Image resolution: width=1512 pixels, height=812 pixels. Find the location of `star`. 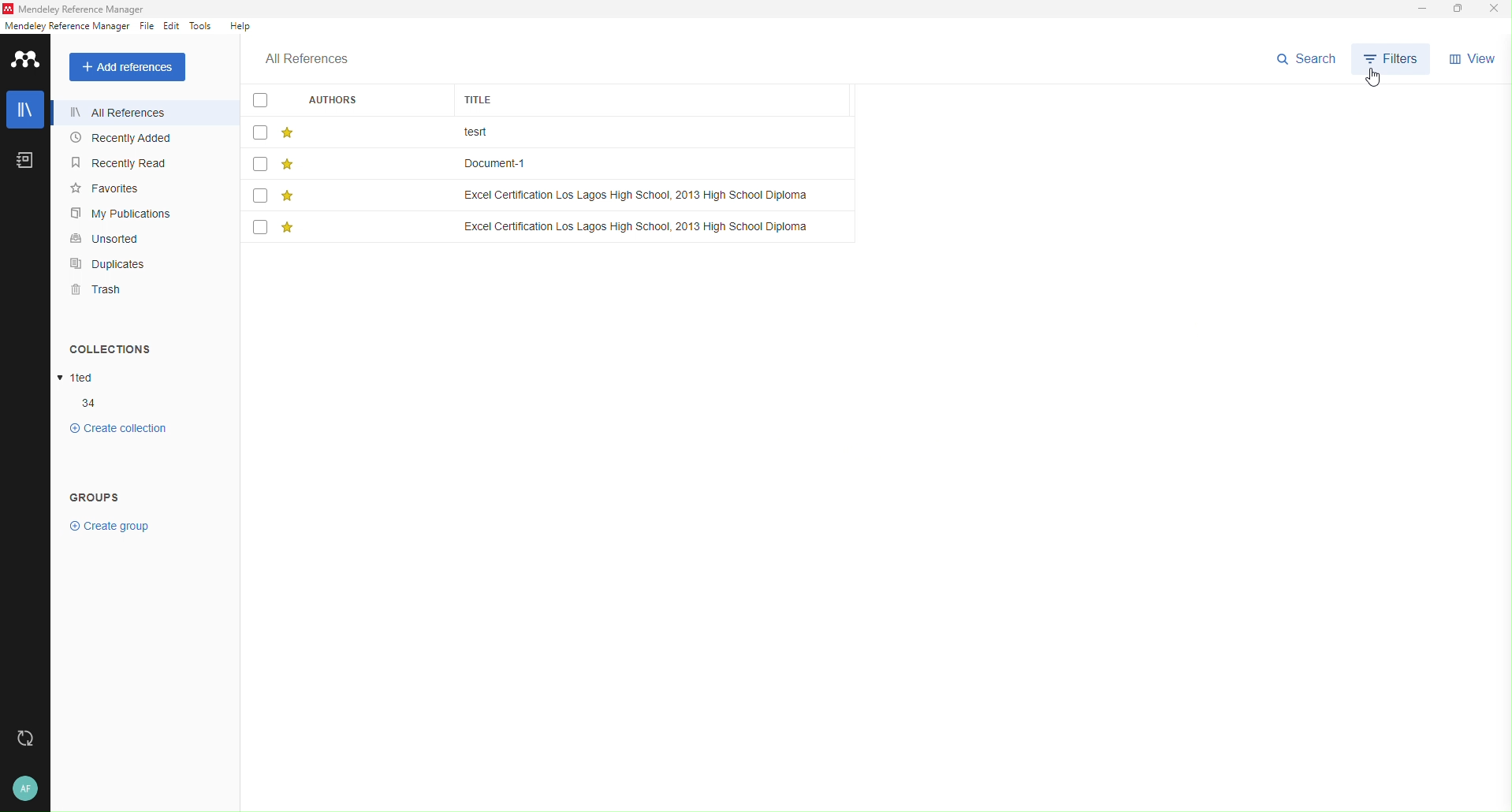

star is located at coordinates (288, 226).